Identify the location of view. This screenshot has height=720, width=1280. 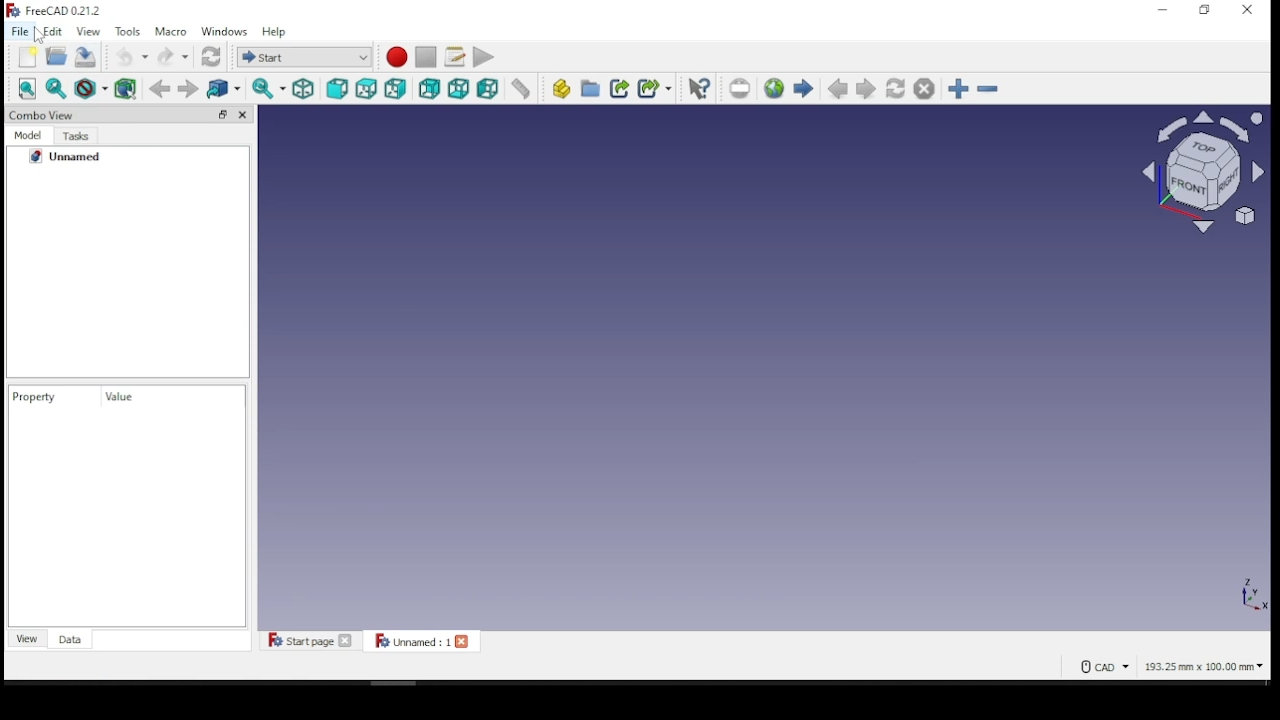
(28, 638).